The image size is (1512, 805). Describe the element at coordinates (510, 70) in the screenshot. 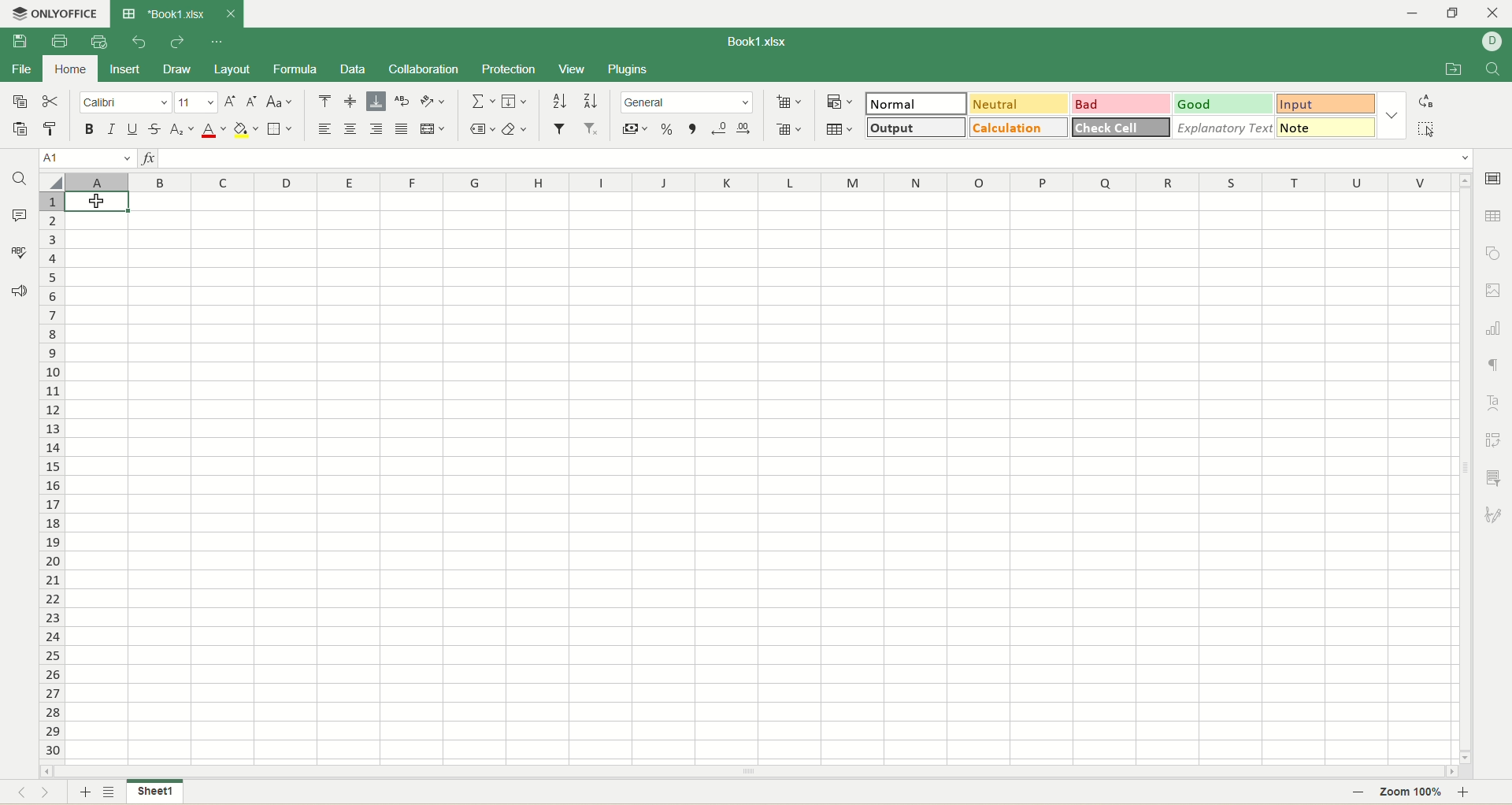

I see `protection` at that location.